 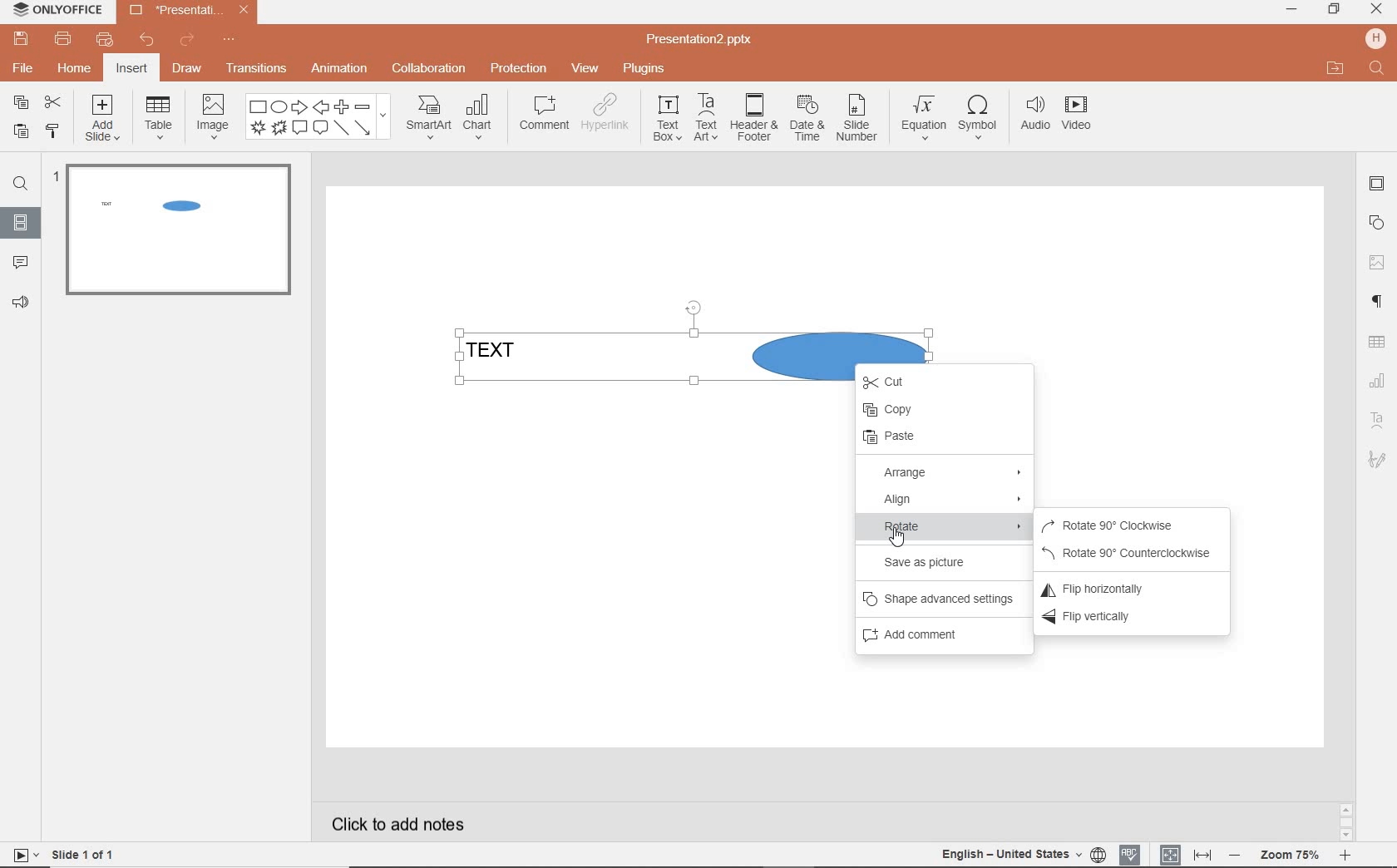 What do you see at coordinates (52, 131) in the screenshot?
I see `copy style` at bounding box center [52, 131].